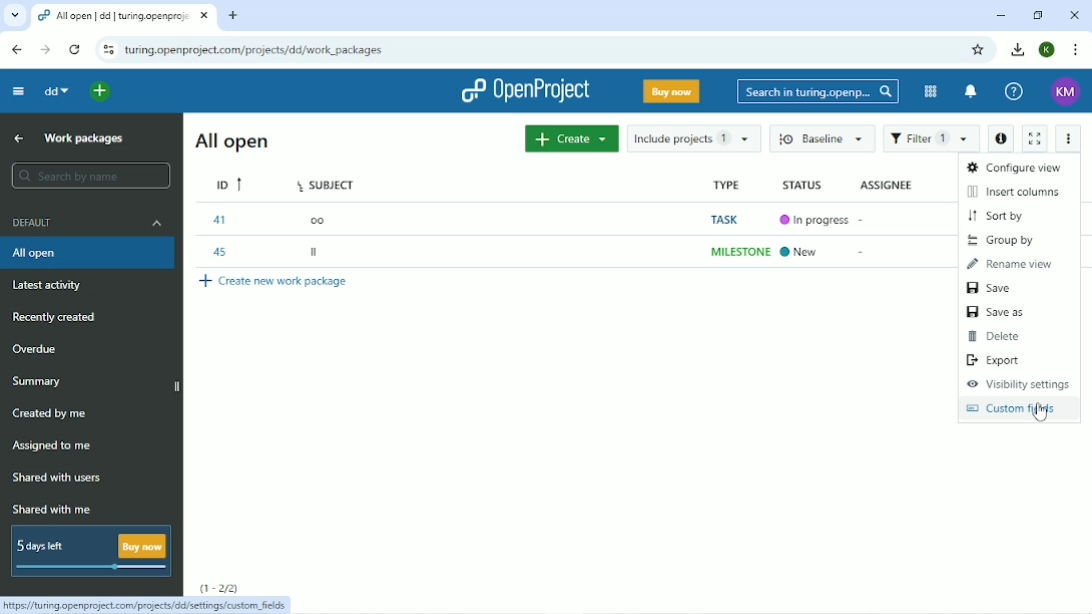 Image resolution: width=1092 pixels, height=614 pixels. I want to click on Reload this page, so click(74, 50).